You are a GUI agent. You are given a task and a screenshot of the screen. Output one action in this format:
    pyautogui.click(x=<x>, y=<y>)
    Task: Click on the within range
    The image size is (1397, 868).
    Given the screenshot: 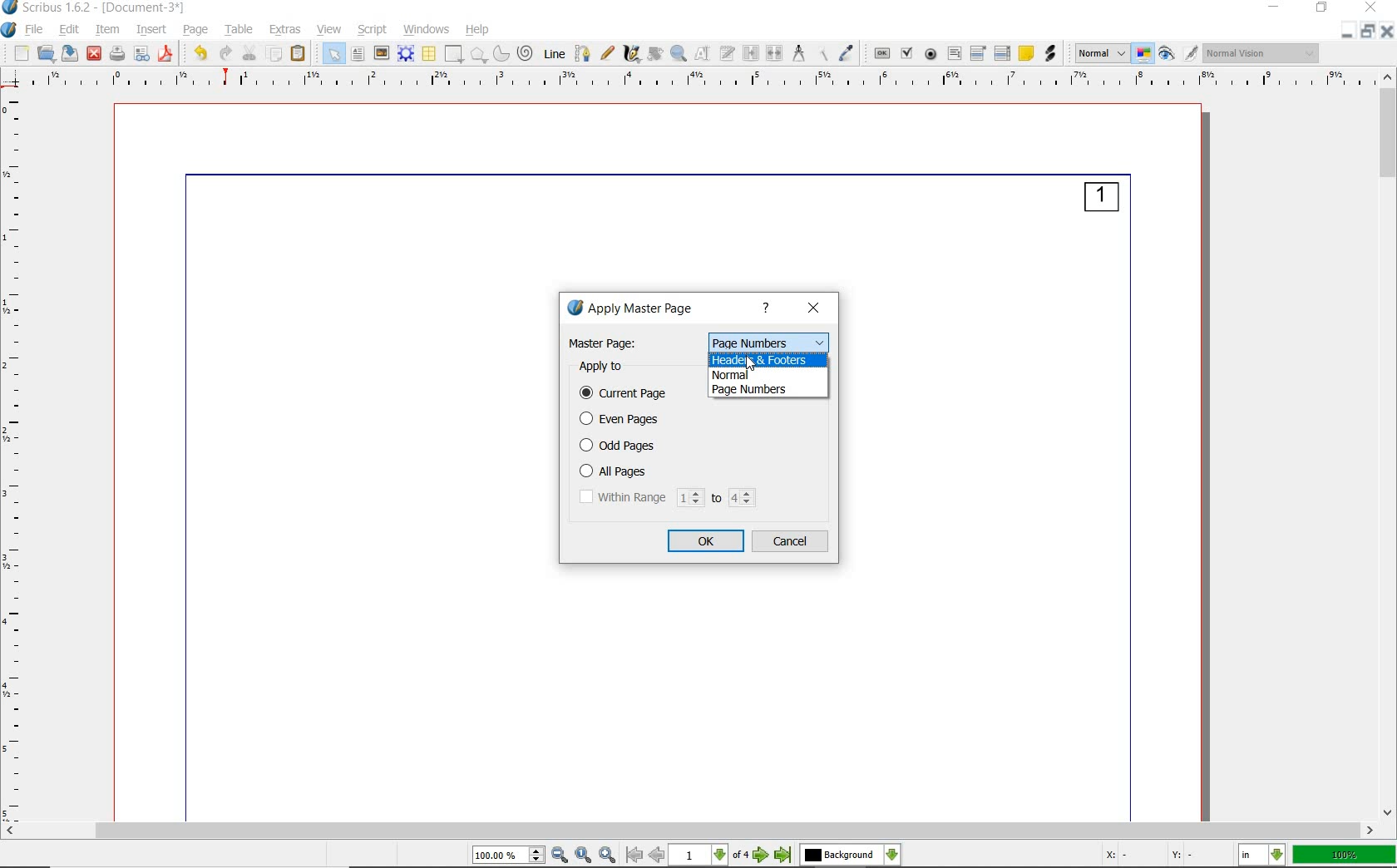 What is the action you would take?
    pyautogui.click(x=668, y=498)
    